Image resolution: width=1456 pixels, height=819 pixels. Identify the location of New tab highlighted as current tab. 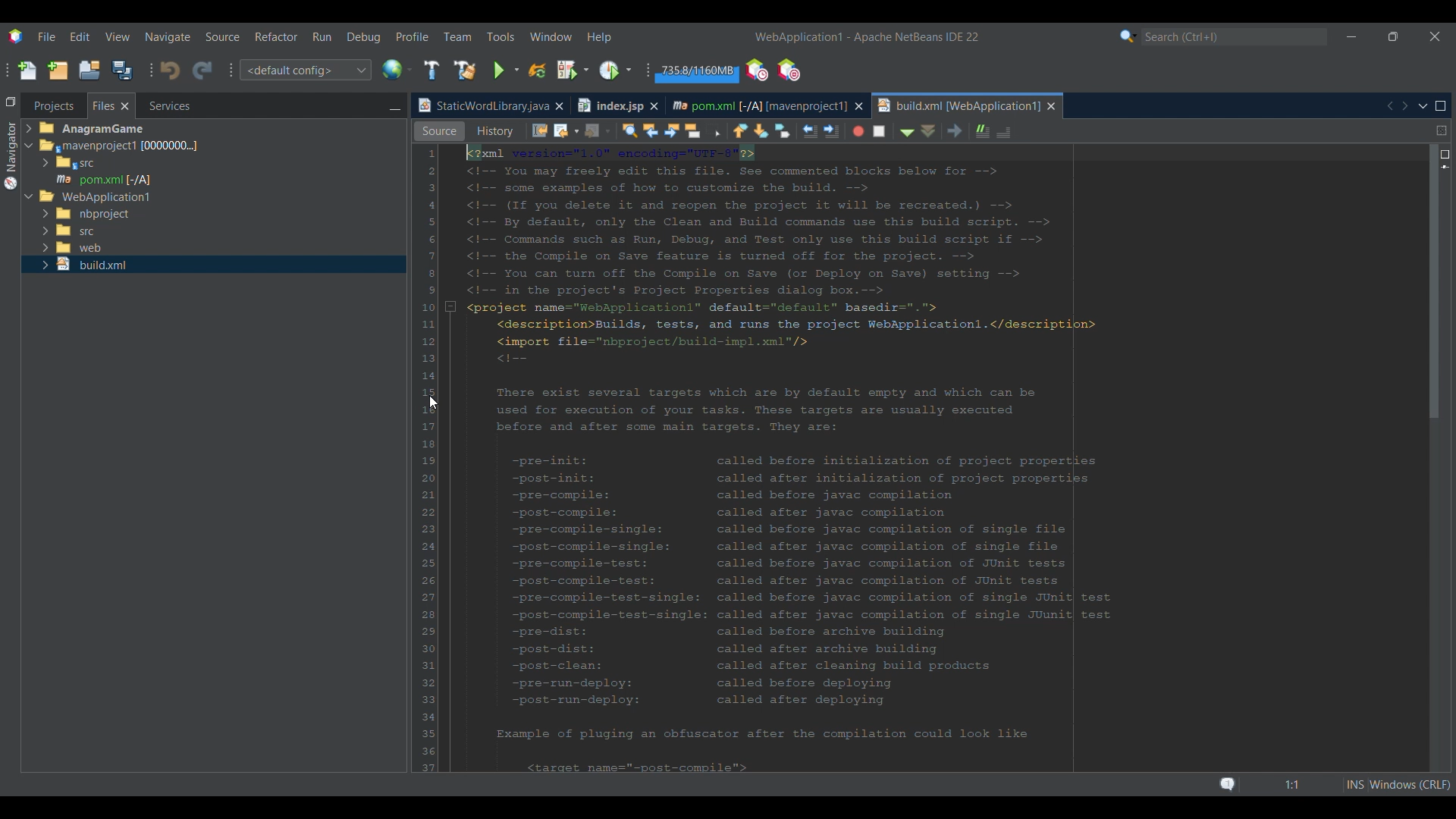
(958, 105).